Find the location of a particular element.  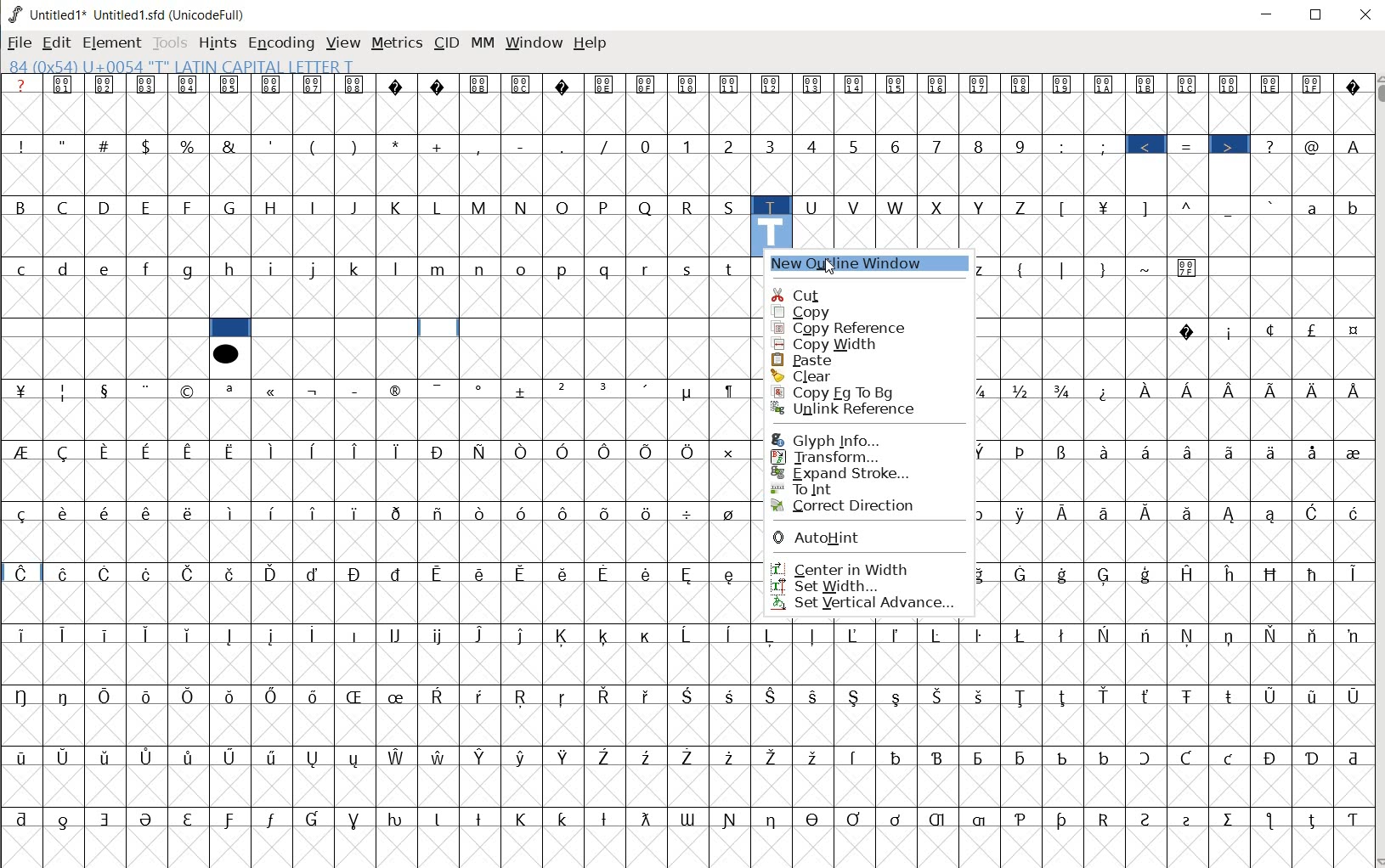

Symbol is located at coordinates (1350, 820).